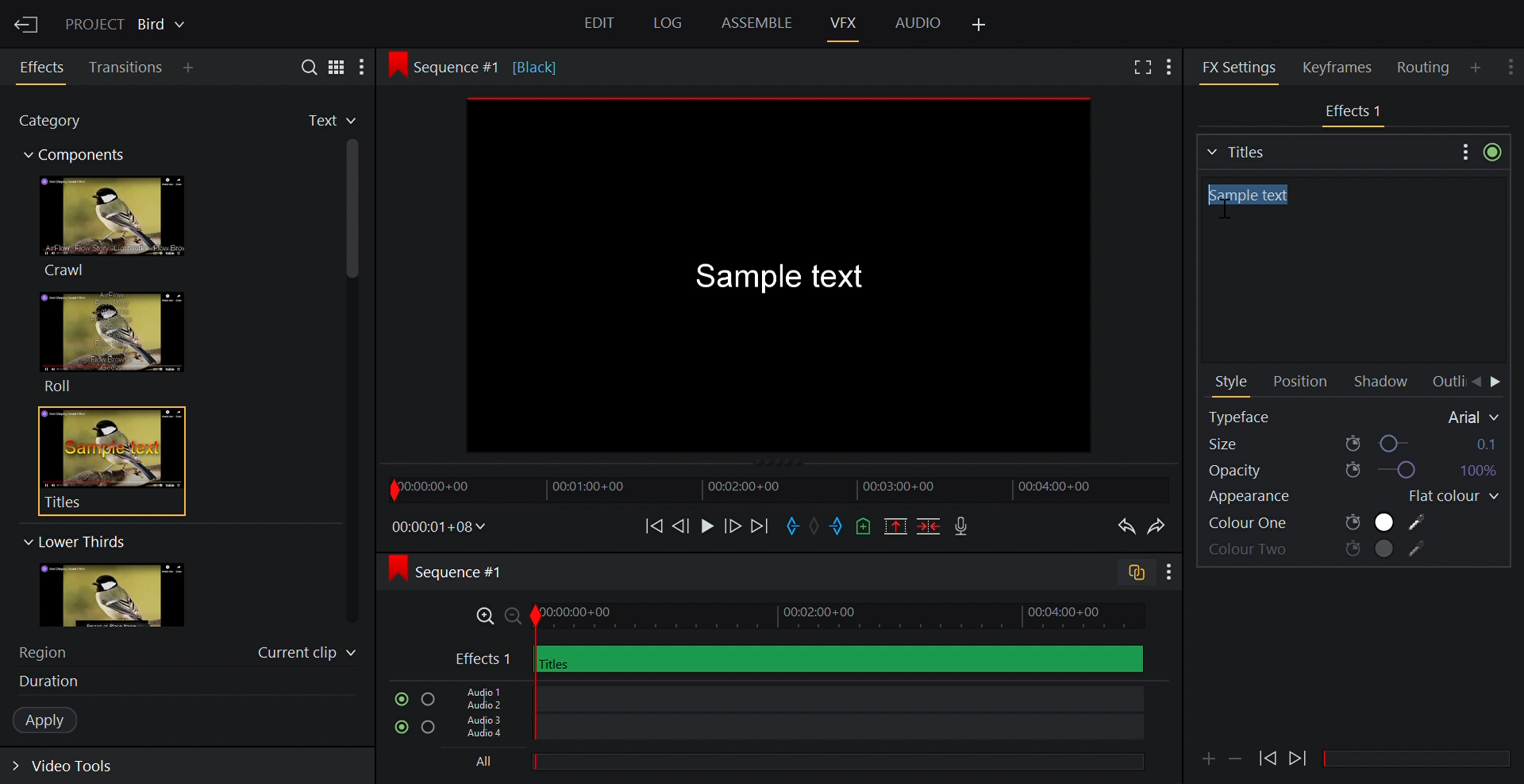 This screenshot has width=1524, height=784. What do you see at coordinates (817, 525) in the screenshot?
I see `Clear marks` at bounding box center [817, 525].